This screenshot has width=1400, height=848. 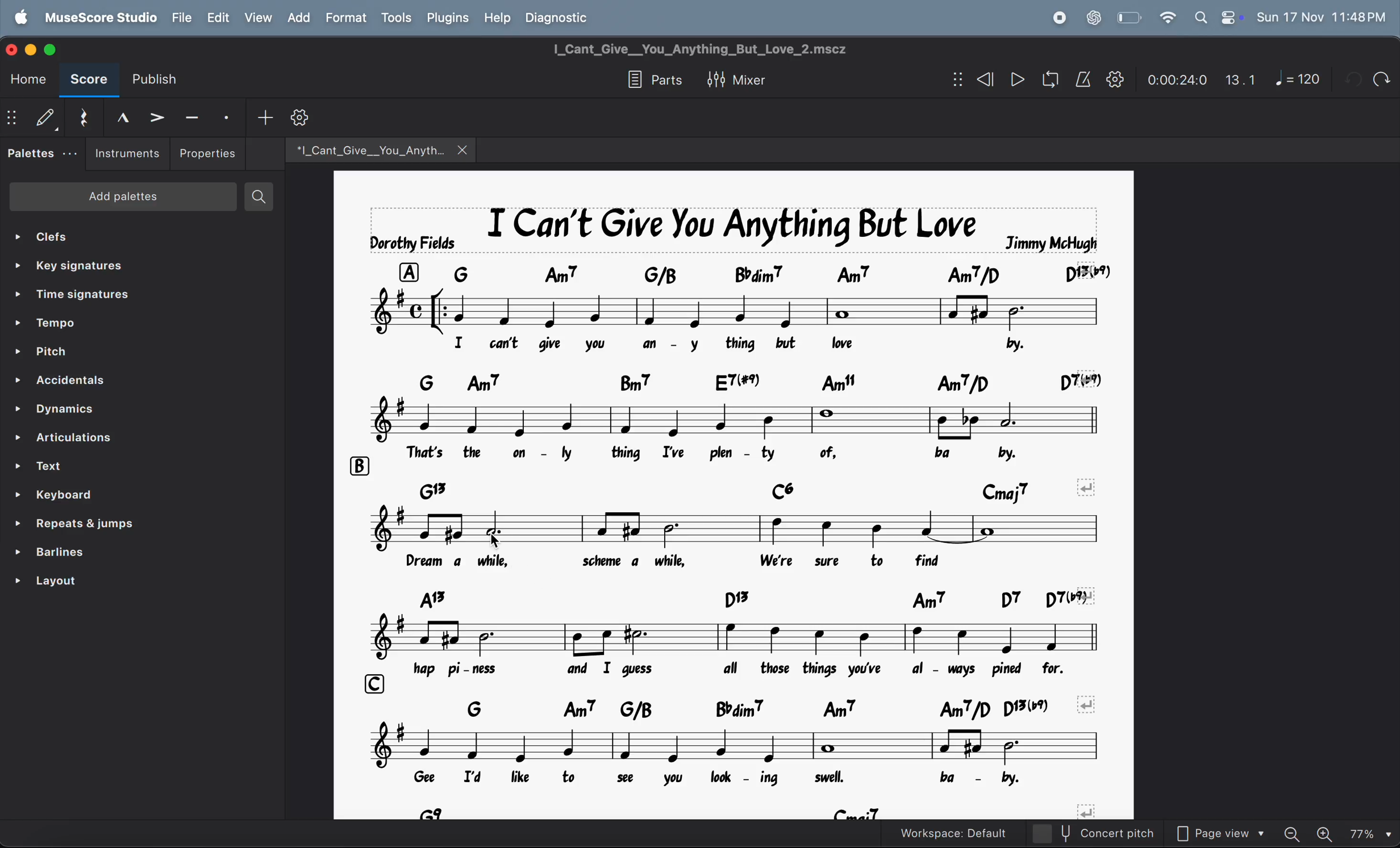 I want to click on view, so click(x=259, y=18).